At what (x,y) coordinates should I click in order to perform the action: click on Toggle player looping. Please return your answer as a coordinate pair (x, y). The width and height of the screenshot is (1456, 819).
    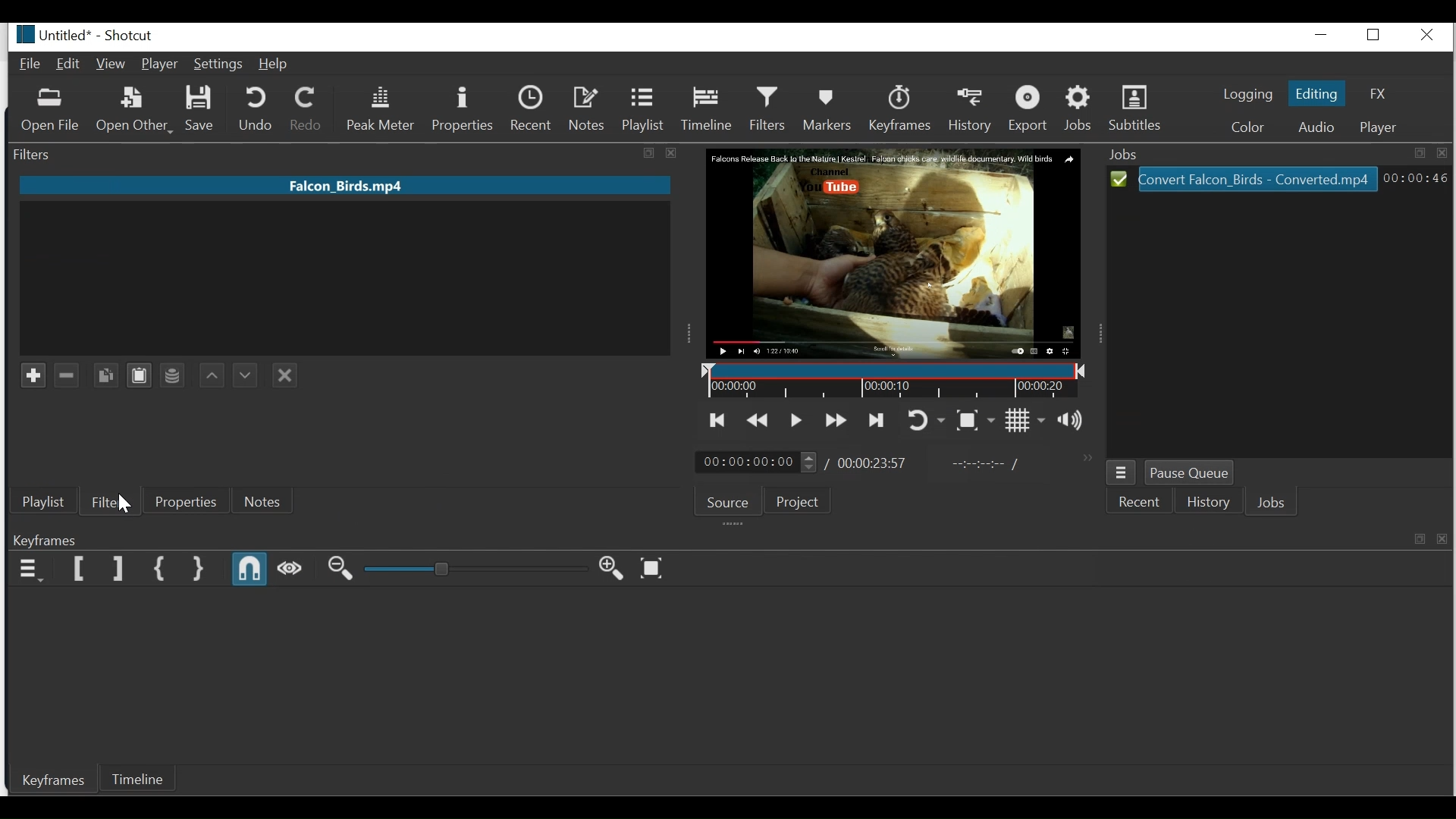
    Looking at the image, I should click on (926, 422).